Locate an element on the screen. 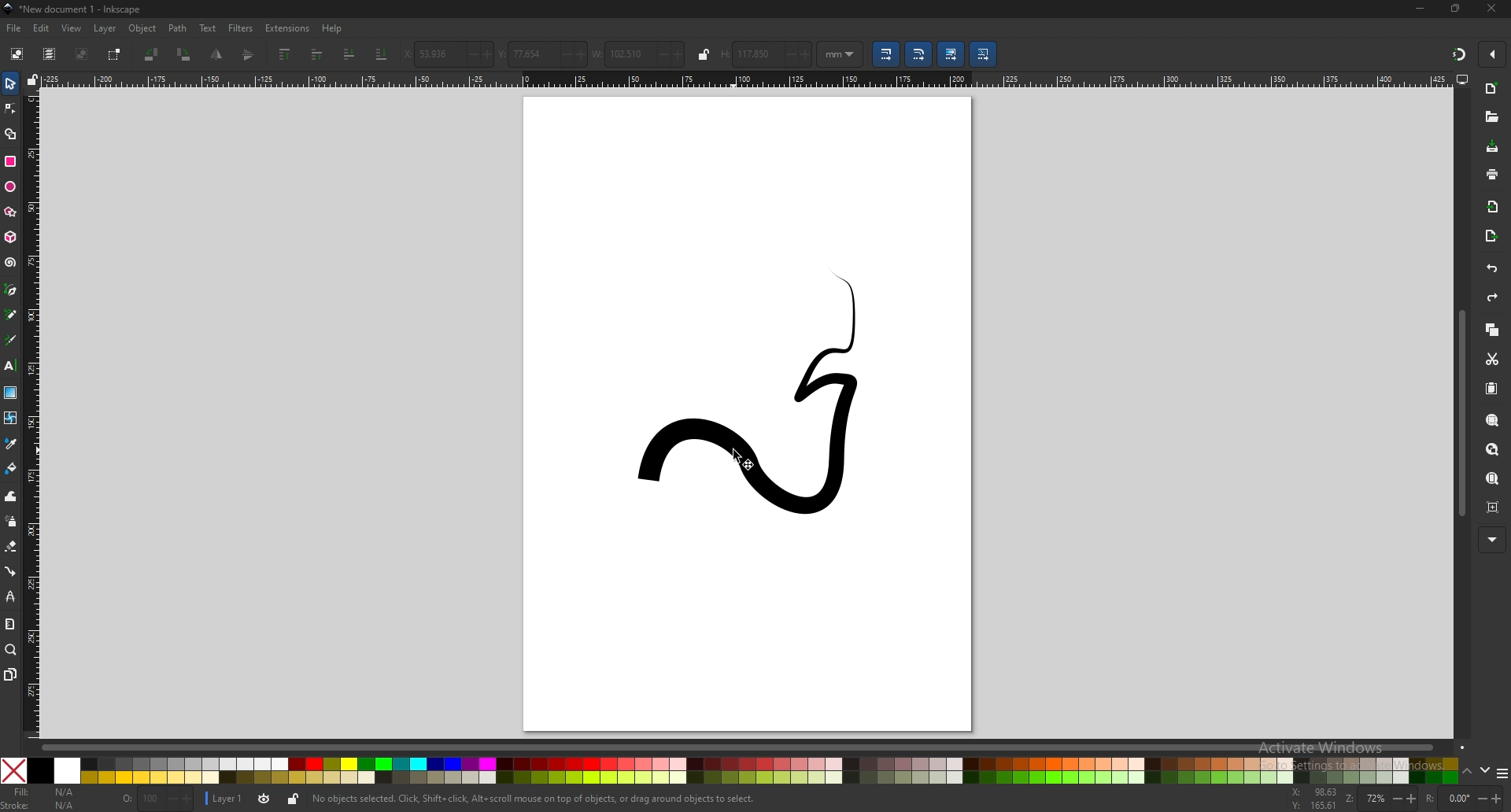  select all in all layers is located at coordinates (49, 54).